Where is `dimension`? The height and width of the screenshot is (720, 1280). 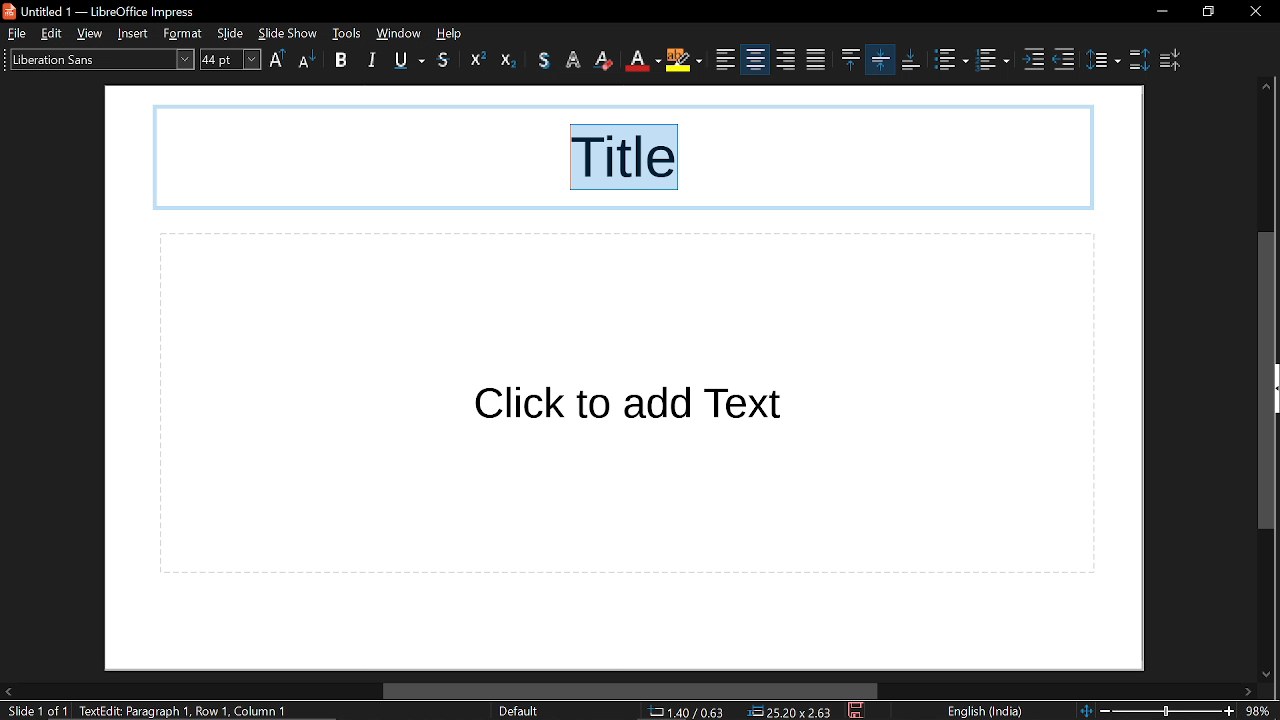
dimension is located at coordinates (791, 712).